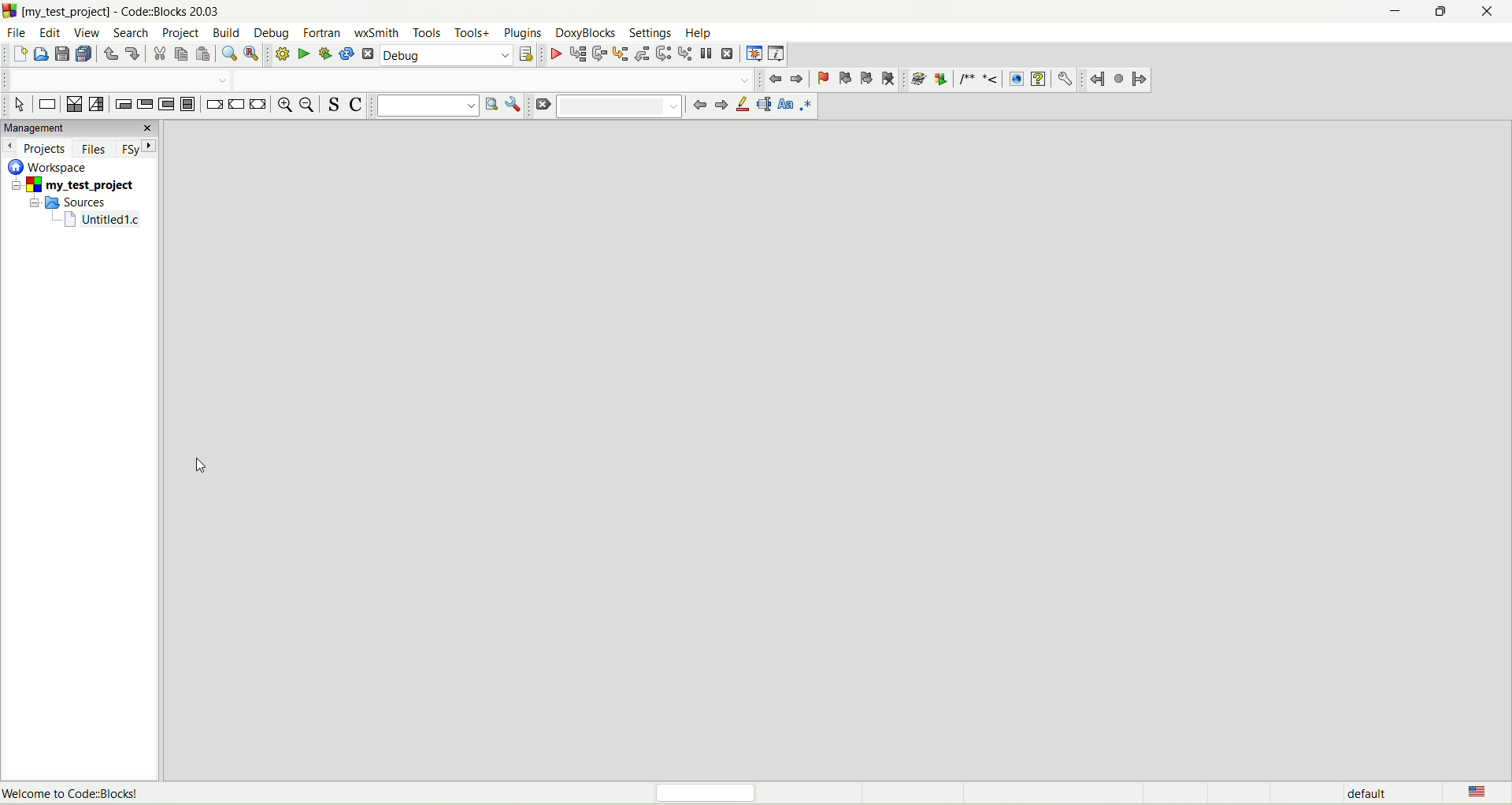 Image resolution: width=1512 pixels, height=805 pixels. I want to click on break debugger, so click(708, 53).